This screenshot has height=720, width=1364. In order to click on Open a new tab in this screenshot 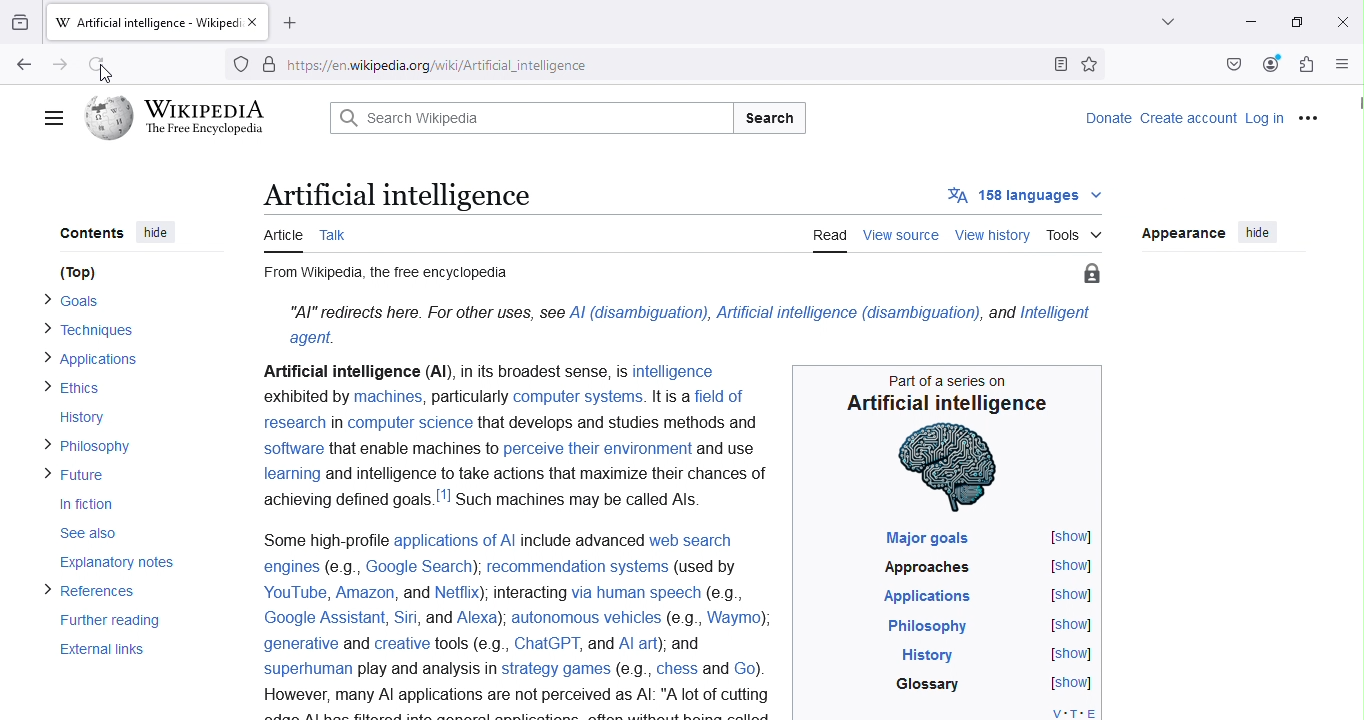, I will do `click(292, 27)`.